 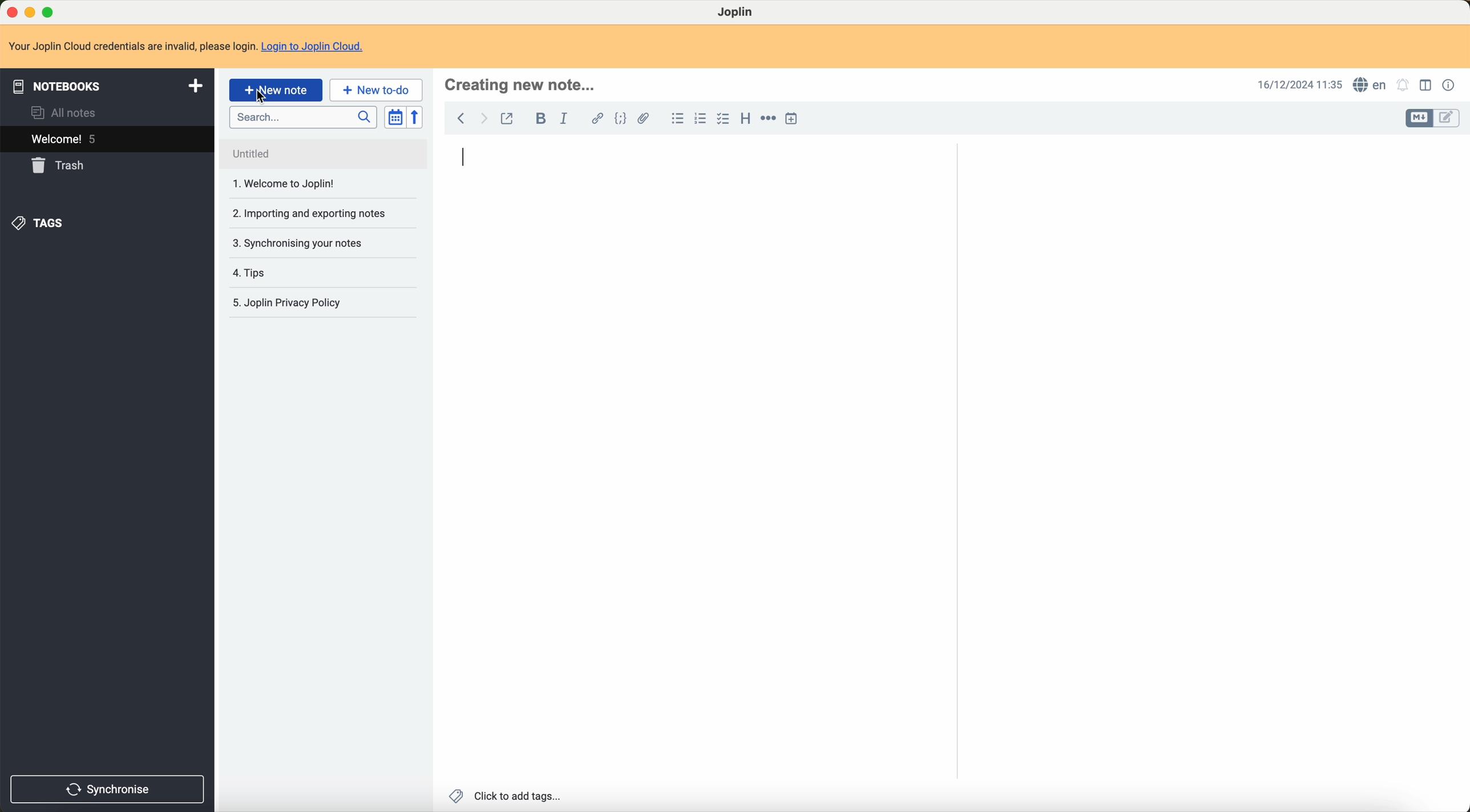 What do you see at coordinates (486, 119) in the screenshot?
I see `foward` at bounding box center [486, 119].